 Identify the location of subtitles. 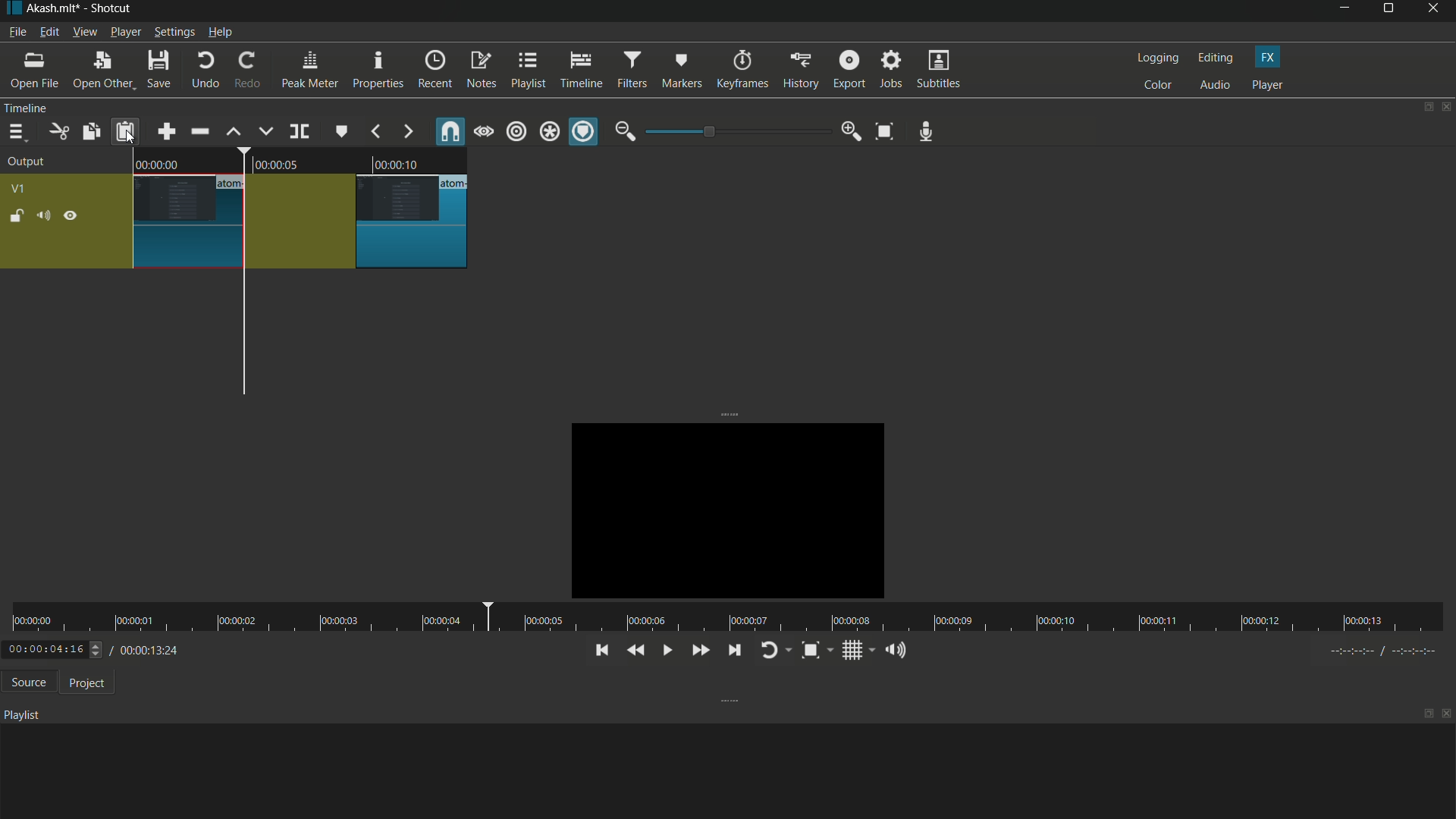
(940, 69).